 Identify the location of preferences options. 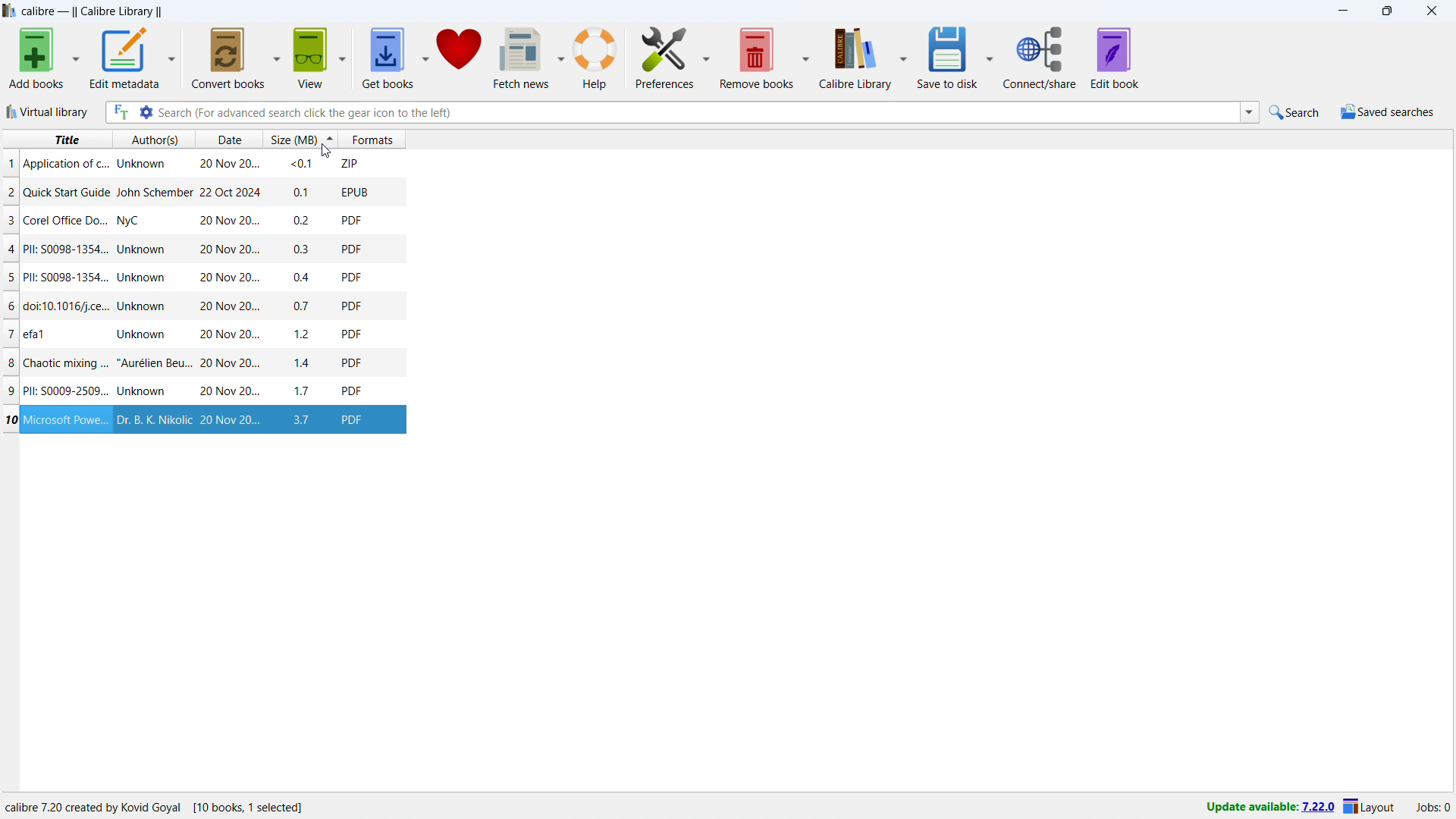
(707, 58).